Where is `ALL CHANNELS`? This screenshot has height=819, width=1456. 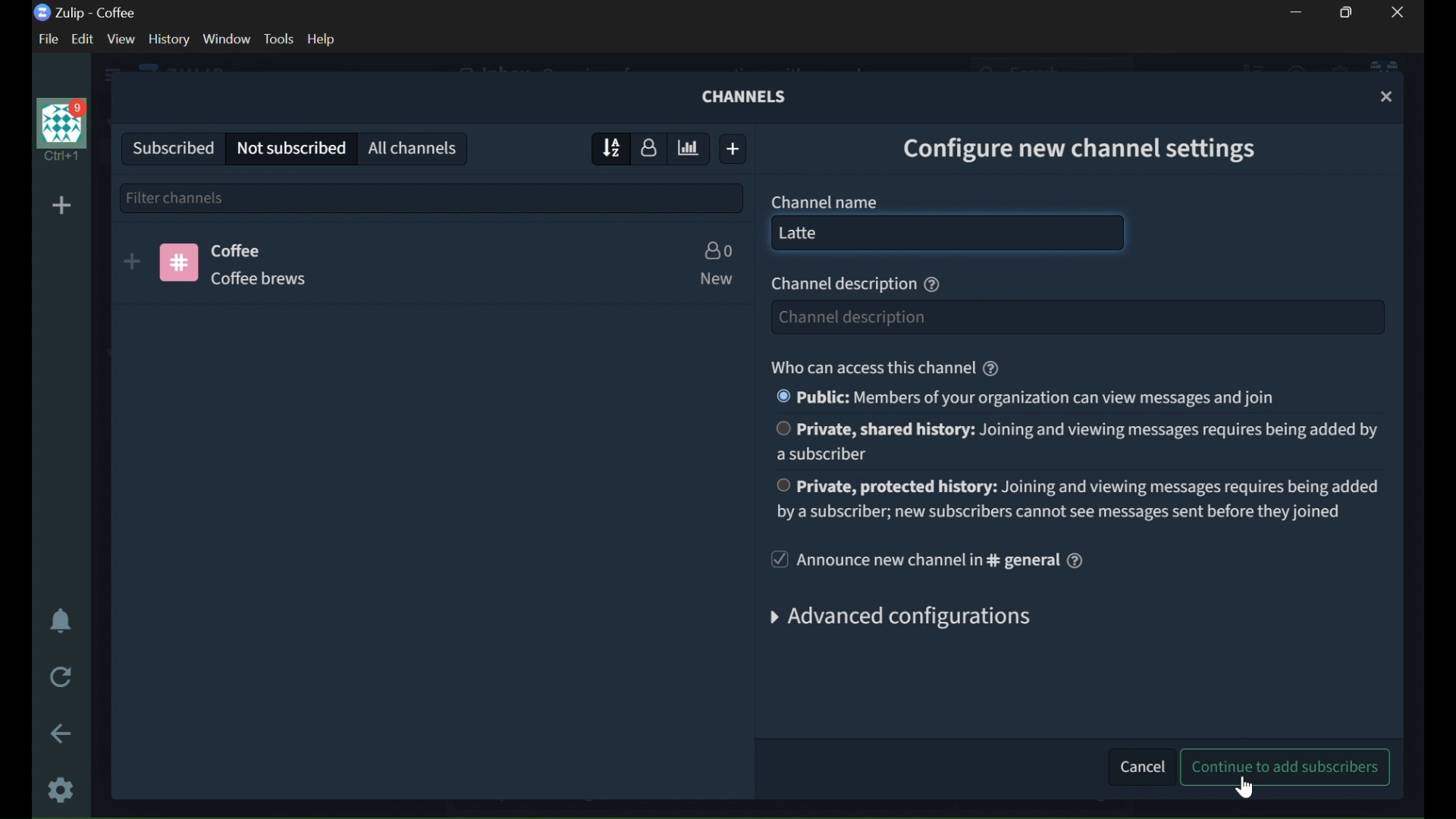
ALL CHANNELS is located at coordinates (415, 147).